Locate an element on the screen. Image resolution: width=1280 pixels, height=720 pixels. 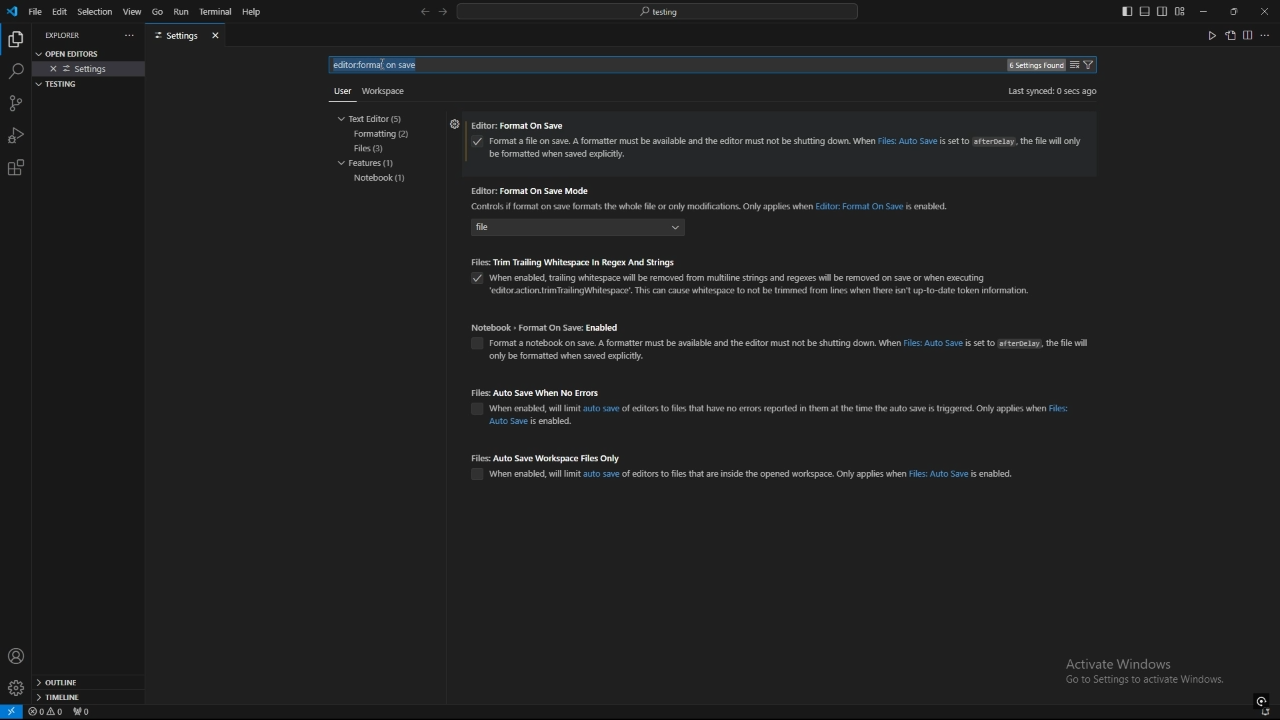
formatting is located at coordinates (384, 134).